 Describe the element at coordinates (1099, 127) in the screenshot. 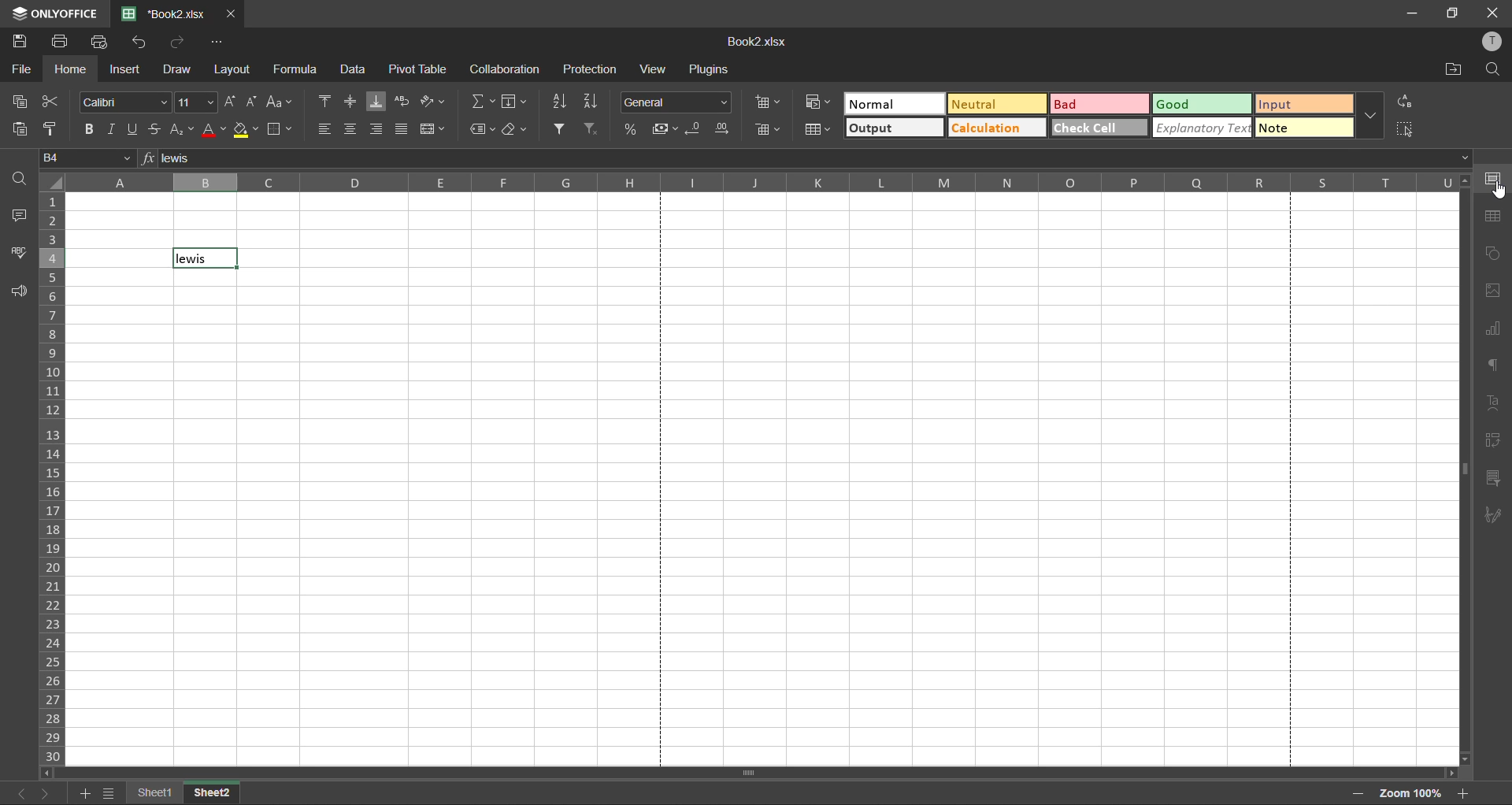

I see `check cell` at that location.